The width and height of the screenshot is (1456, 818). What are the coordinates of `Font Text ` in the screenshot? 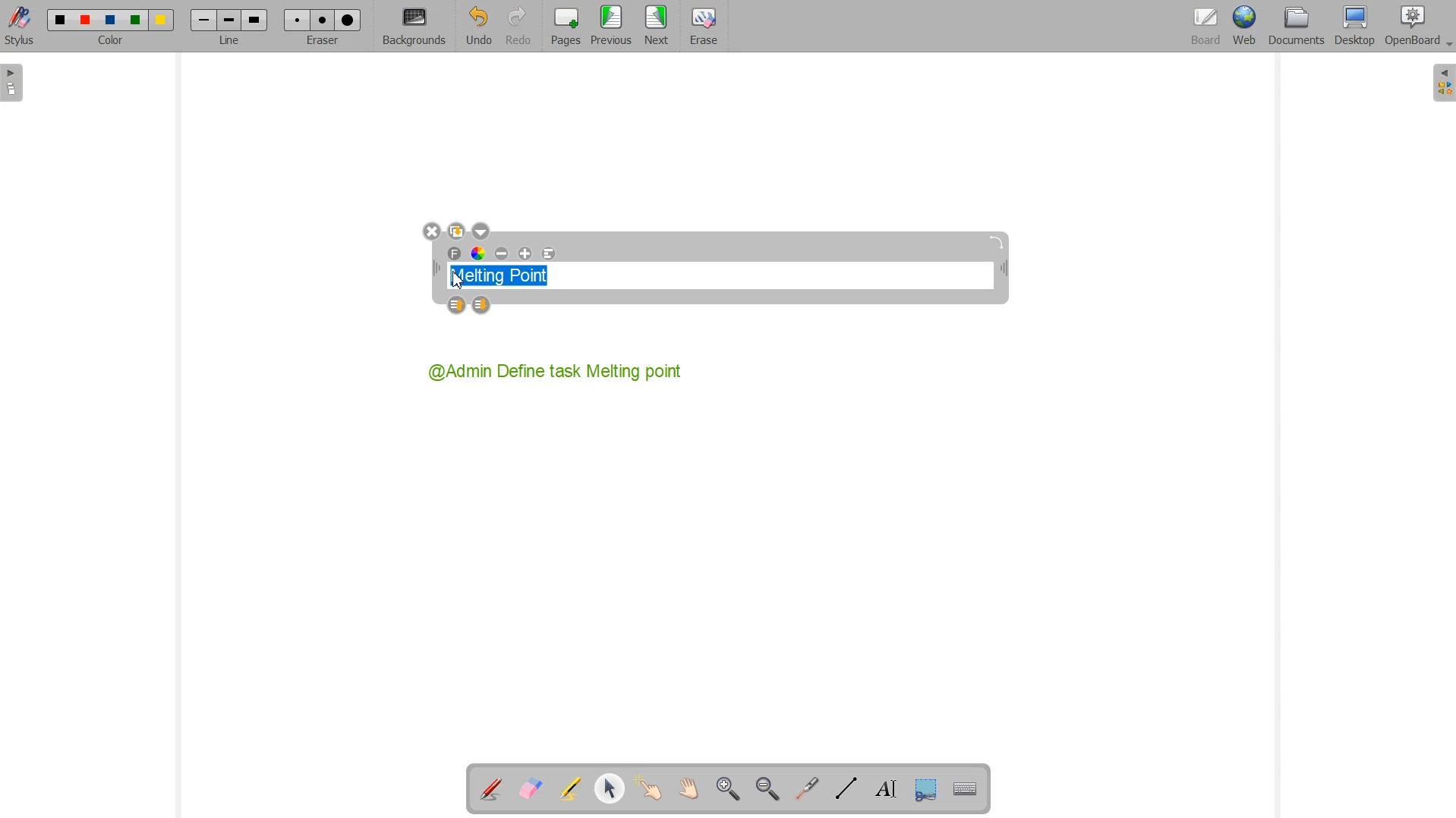 It's located at (455, 254).